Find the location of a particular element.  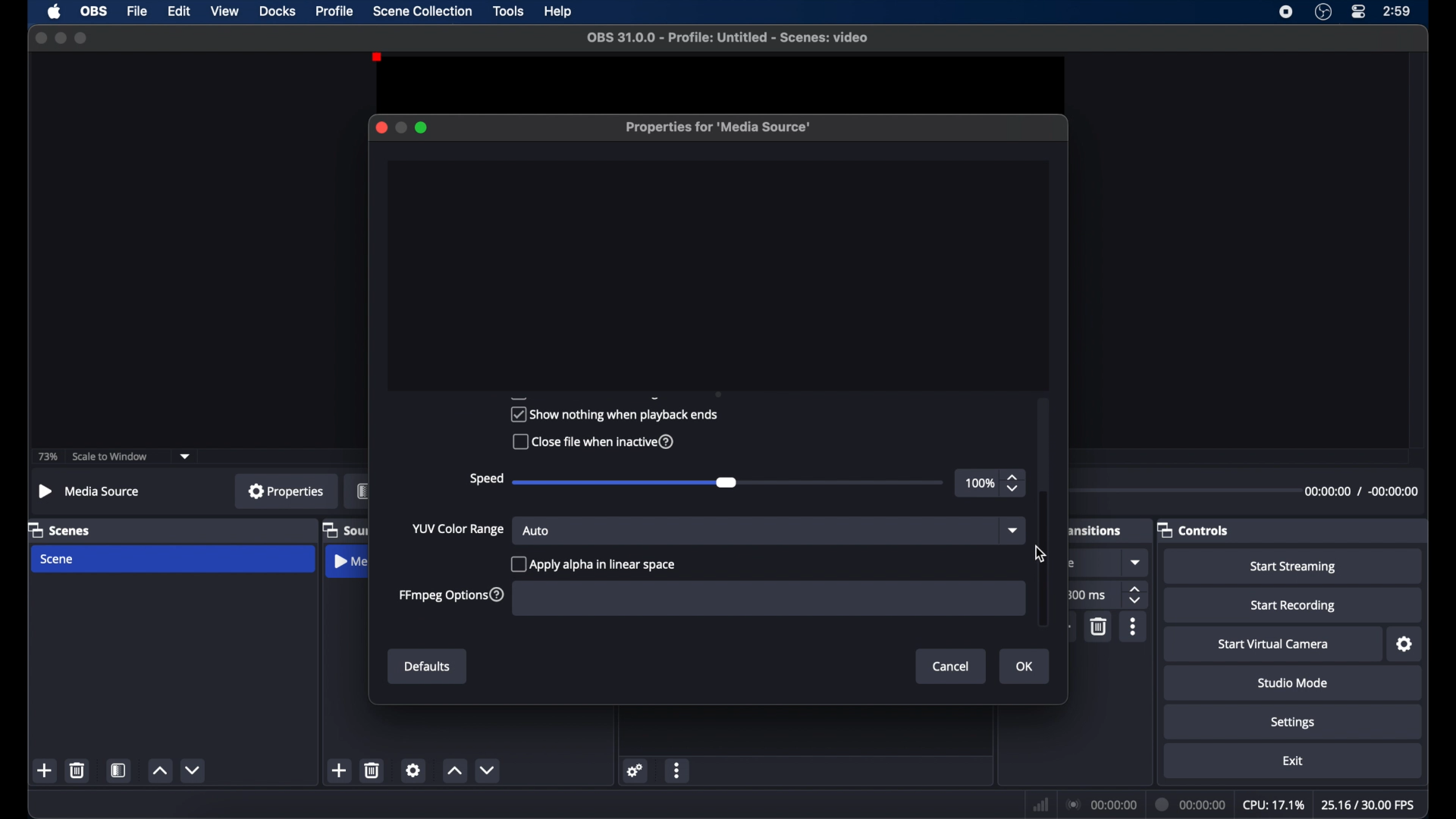

delete is located at coordinates (372, 770).